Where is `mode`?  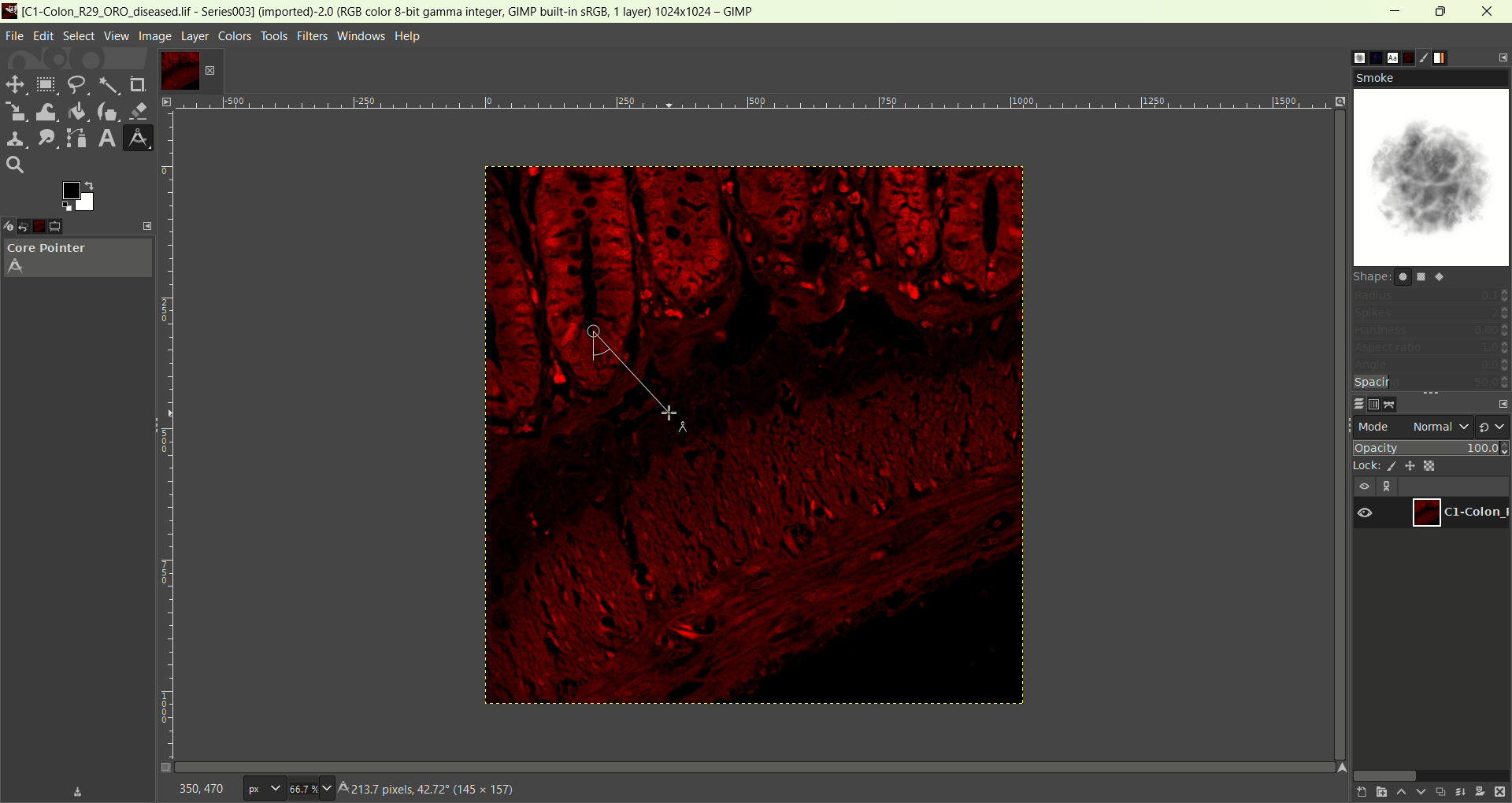 mode is located at coordinates (1376, 427).